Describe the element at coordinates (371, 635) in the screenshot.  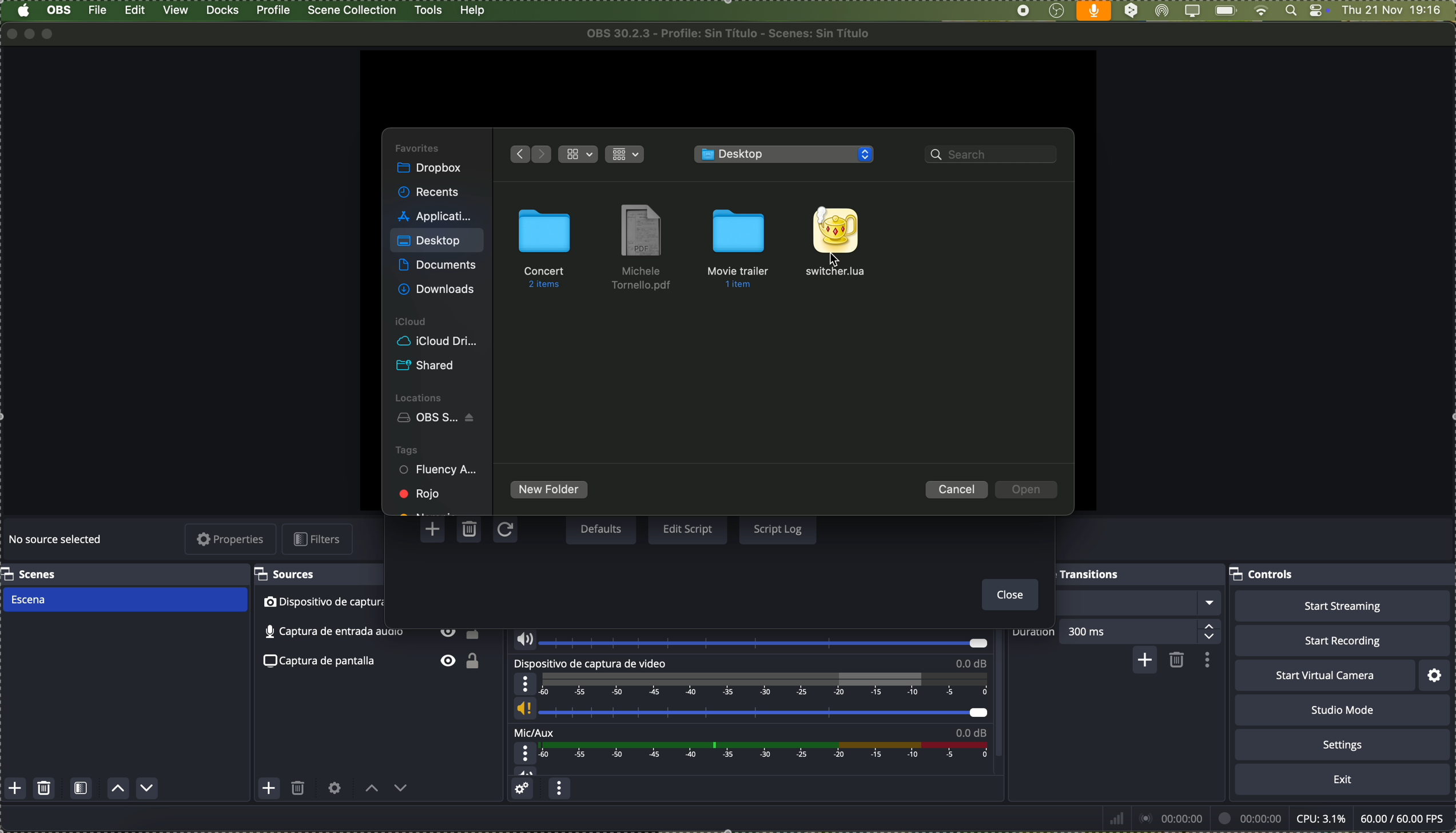
I see `audio input capture` at that location.